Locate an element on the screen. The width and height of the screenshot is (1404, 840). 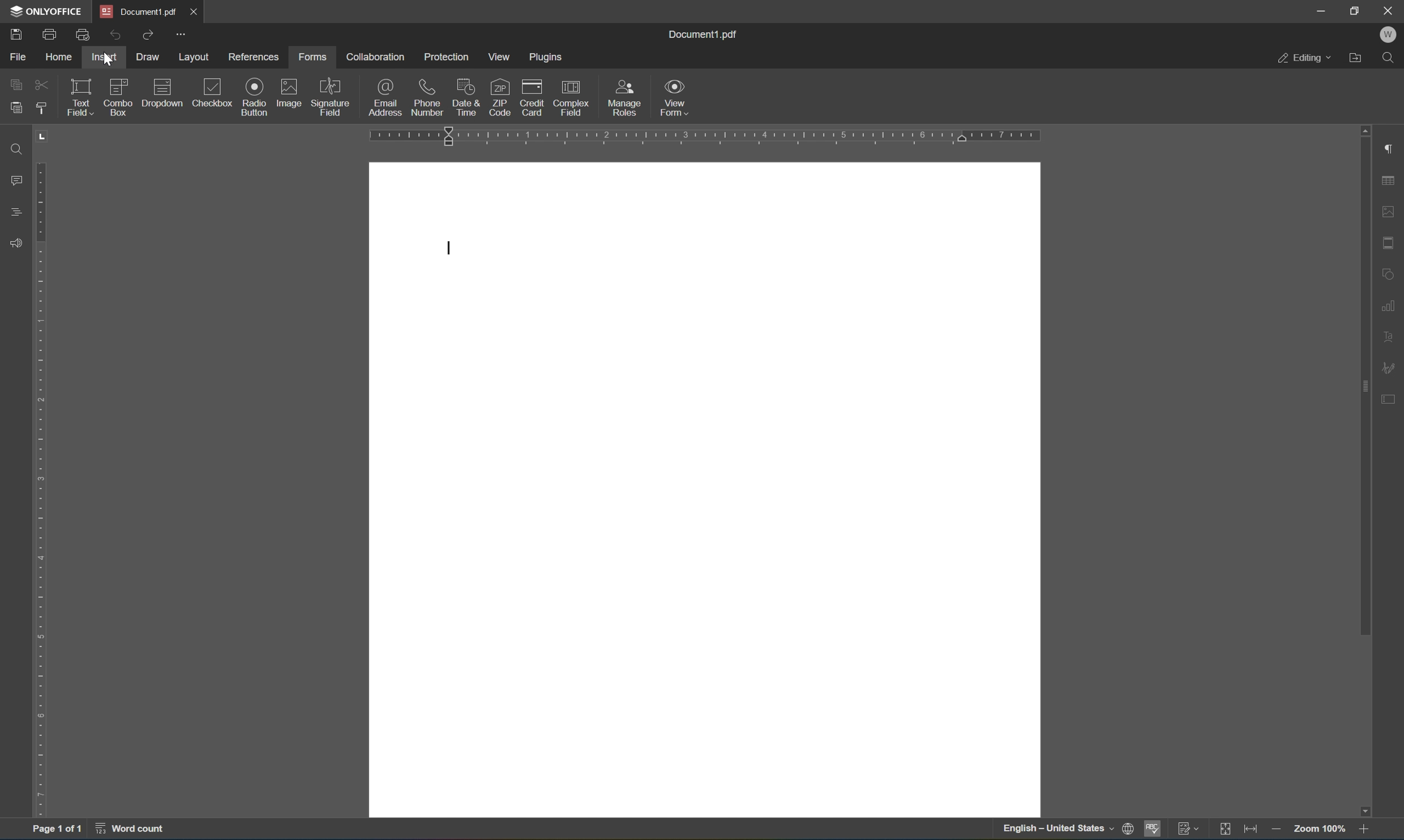
collaboration is located at coordinates (377, 57).